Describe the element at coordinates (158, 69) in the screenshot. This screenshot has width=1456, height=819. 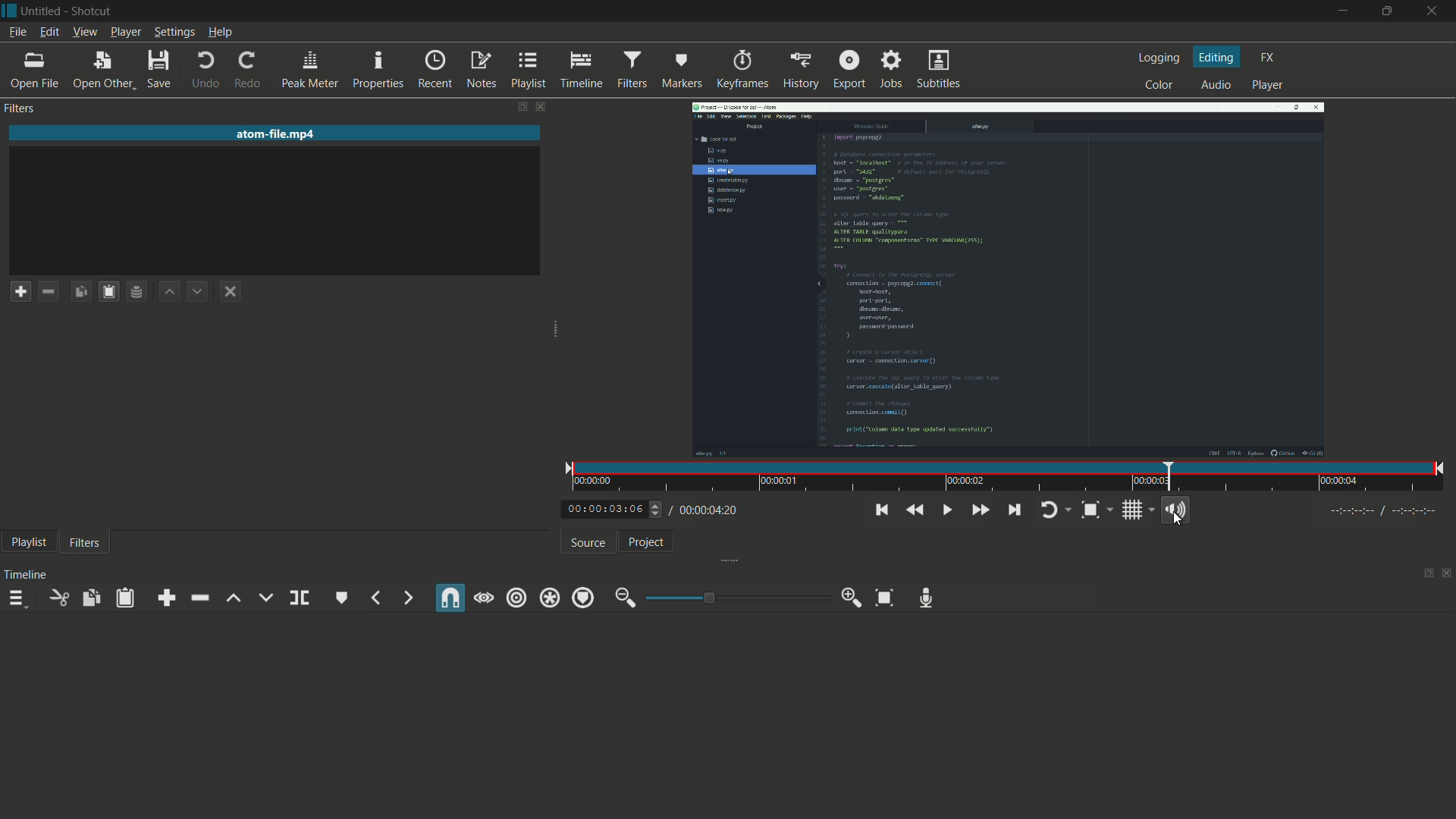
I see `save` at that location.